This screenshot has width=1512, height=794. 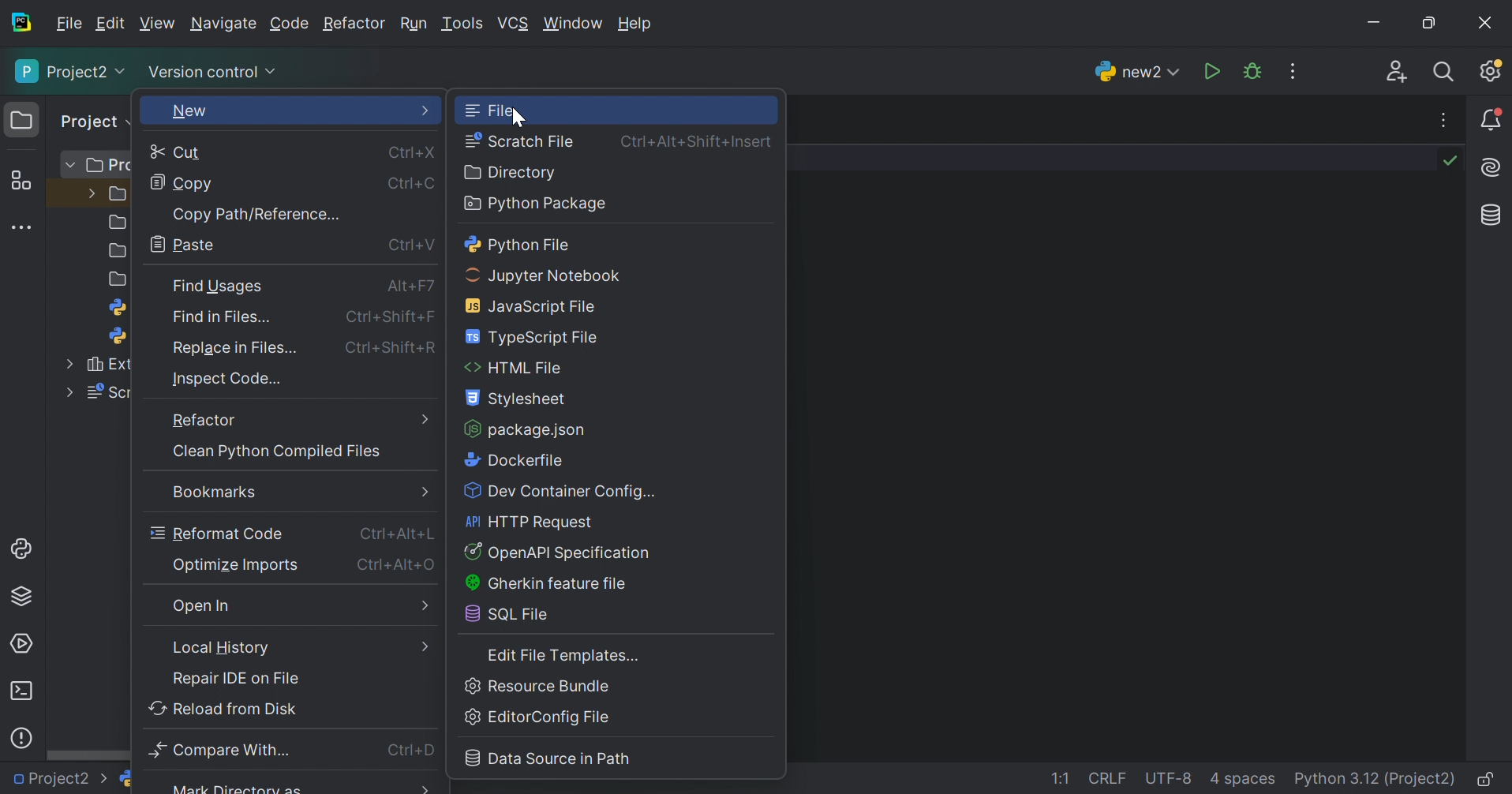 What do you see at coordinates (538, 686) in the screenshot?
I see `Resource bundle` at bounding box center [538, 686].